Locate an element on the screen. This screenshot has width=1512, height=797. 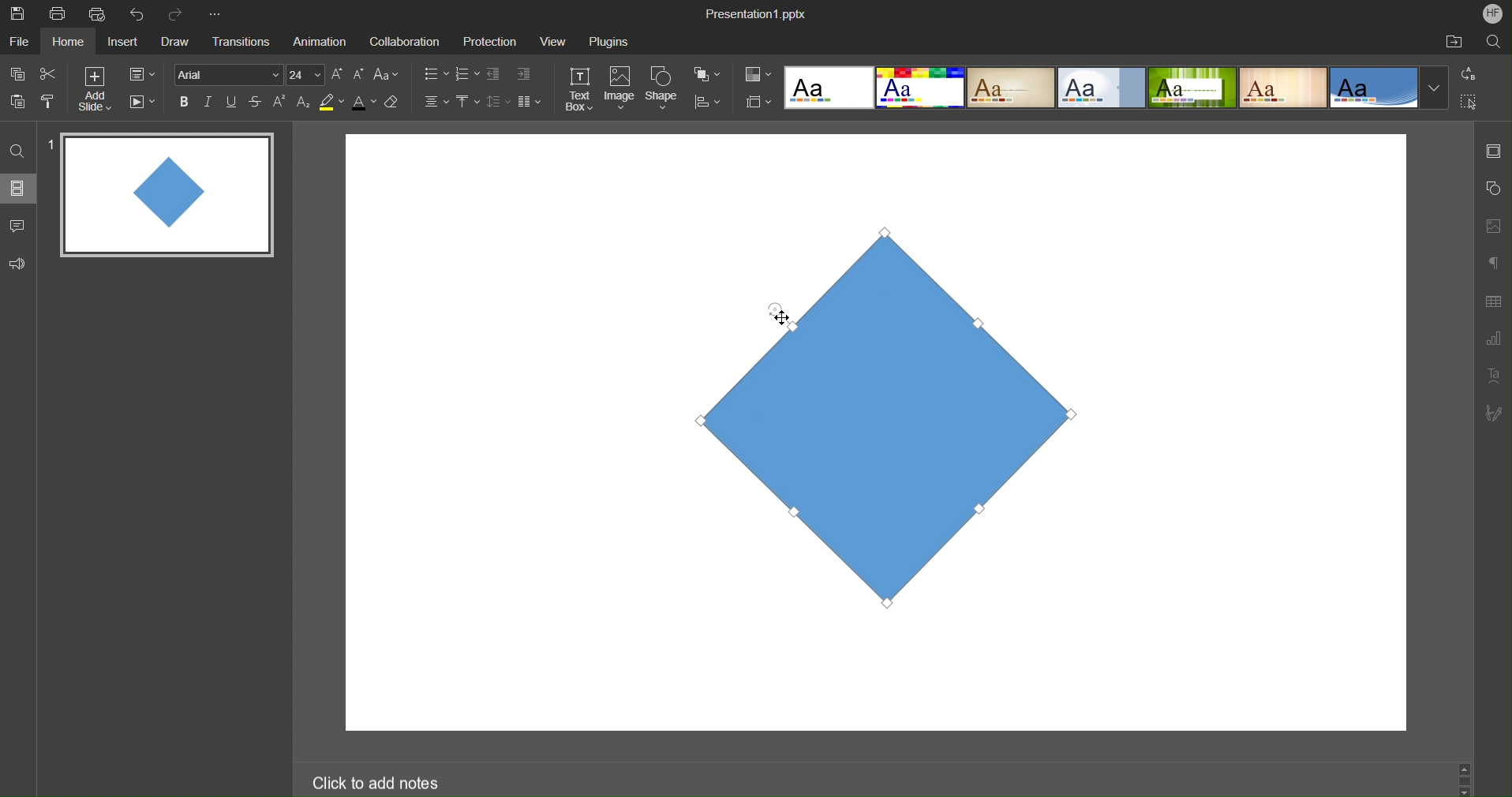
Search is located at coordinates (1494, 41).